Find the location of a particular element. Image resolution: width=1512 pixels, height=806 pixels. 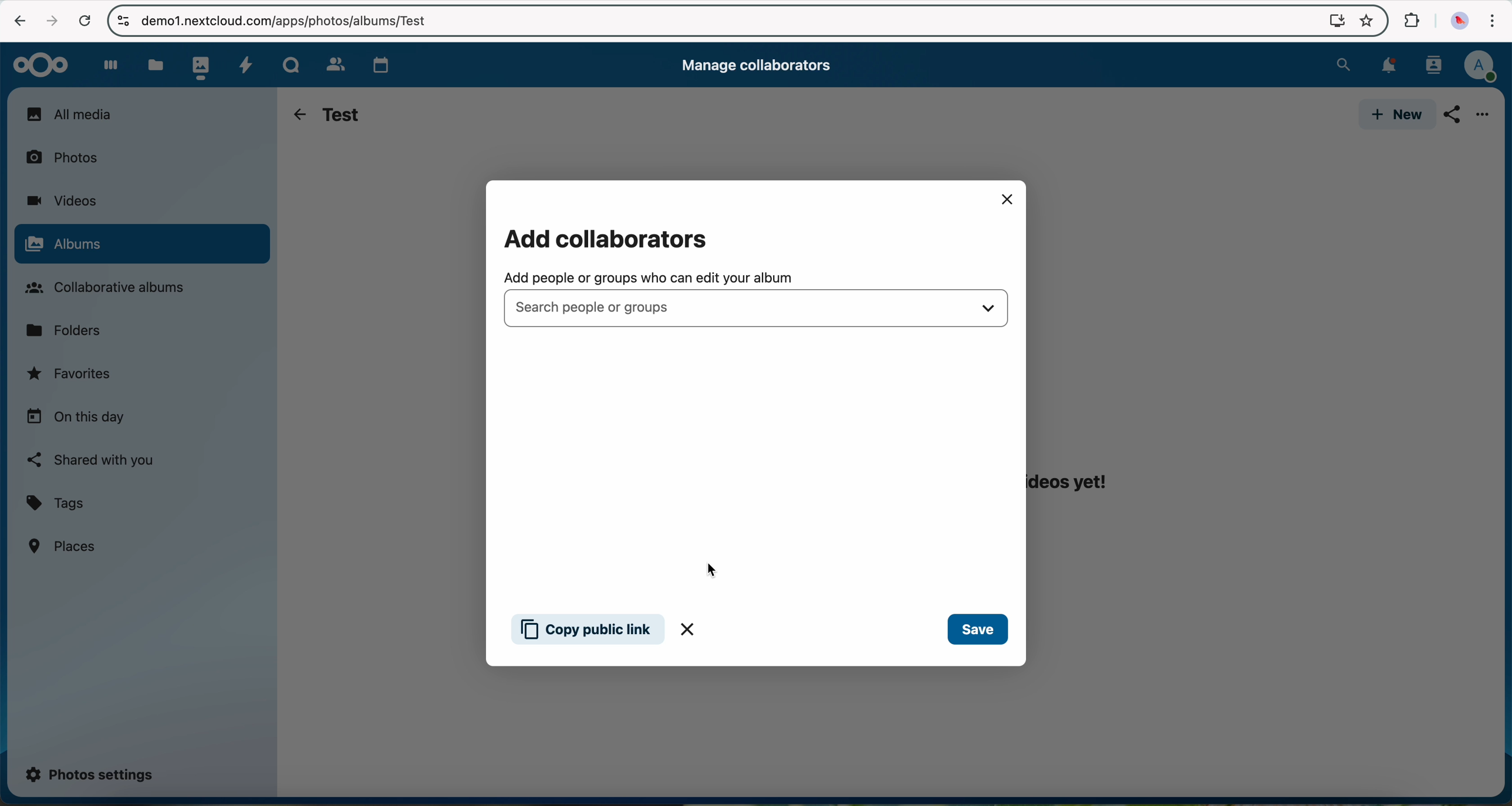

profile is located at coordinates (1480, 67).